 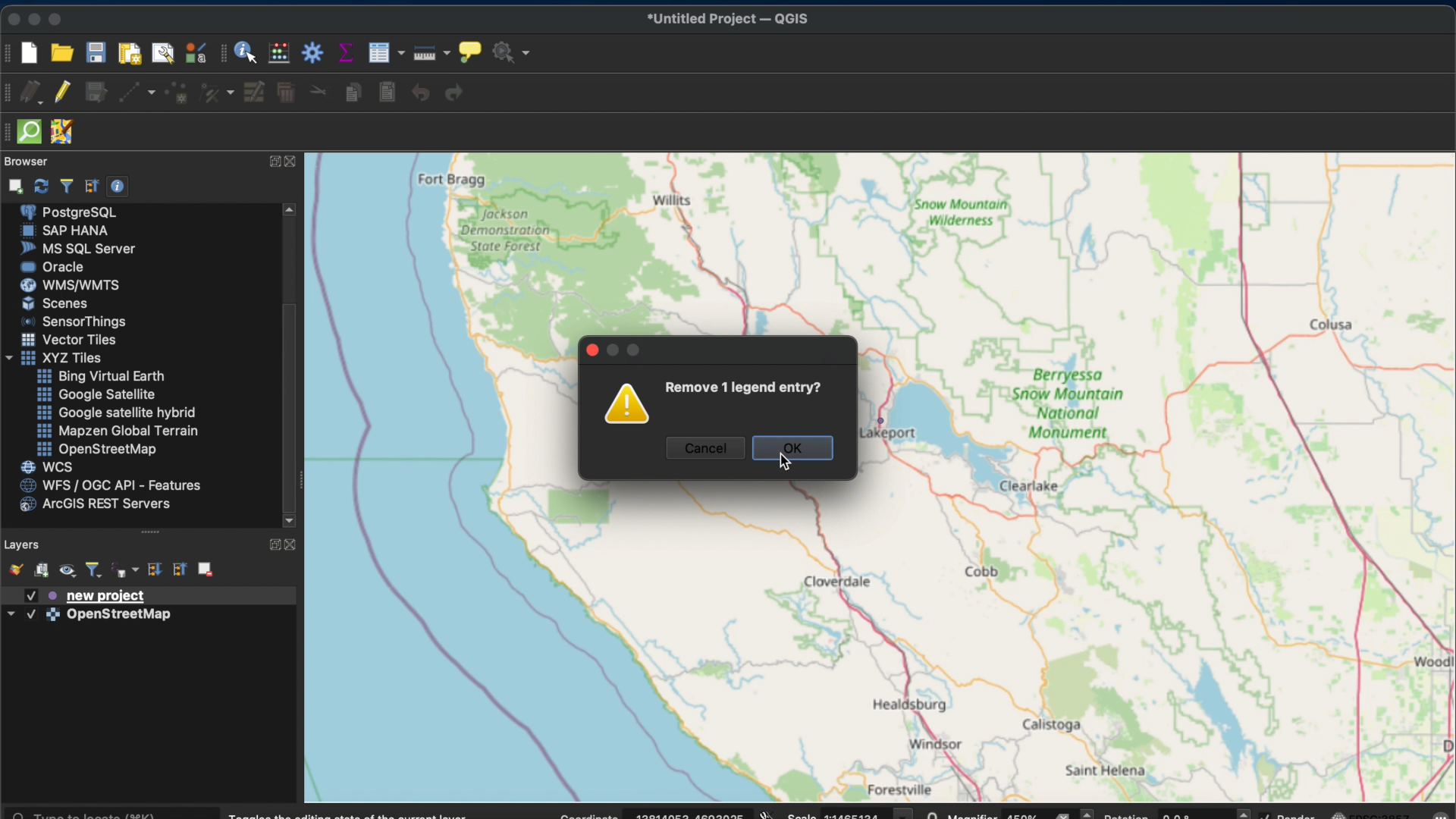 What do you see at coordinates (193, 52) in the screenshot?
I see `style manager` at bounding box center [193, 52].